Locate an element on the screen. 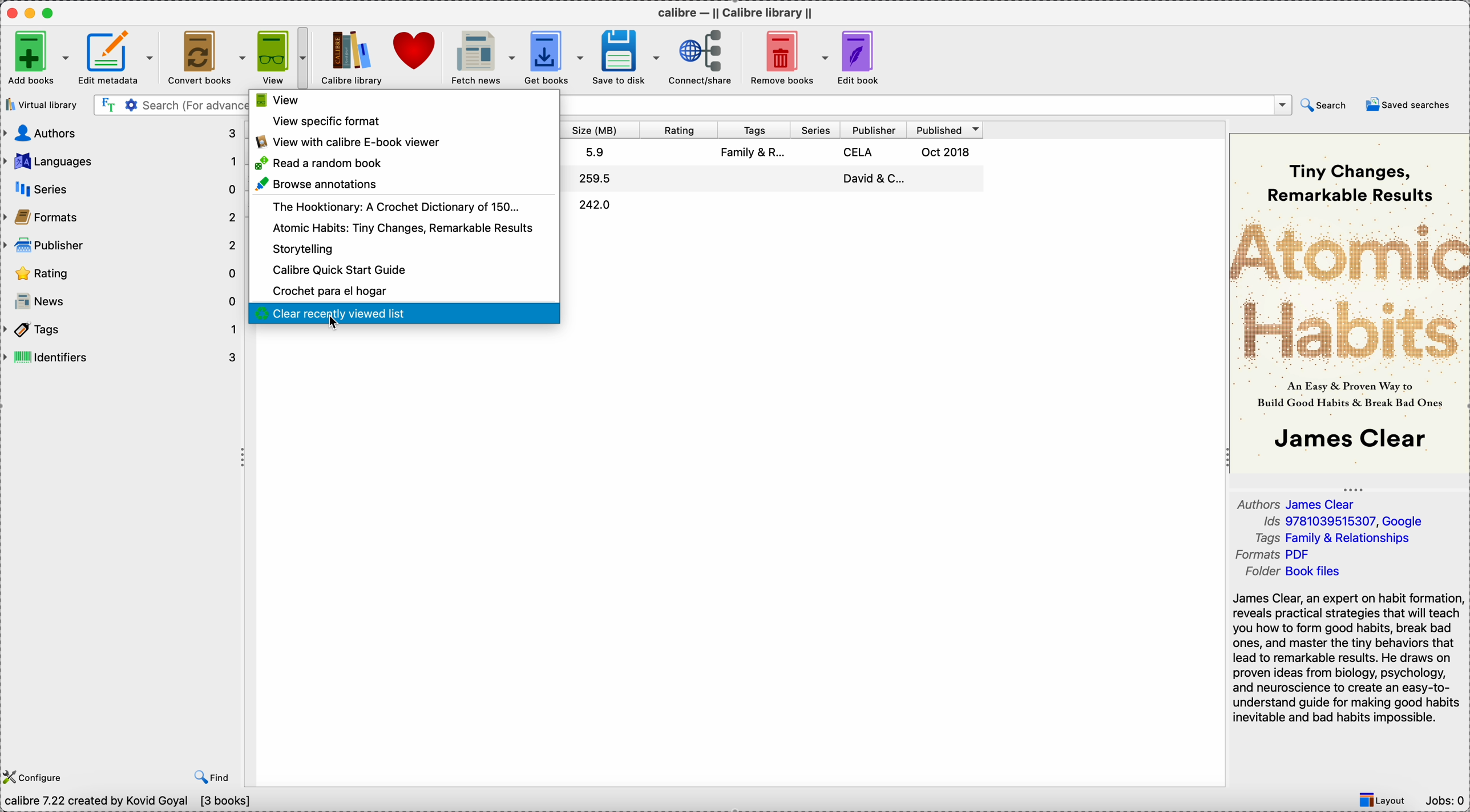 Image resolution: width=1470 pixels, height=812 pixels. rating is located at coordinates (681, 129).